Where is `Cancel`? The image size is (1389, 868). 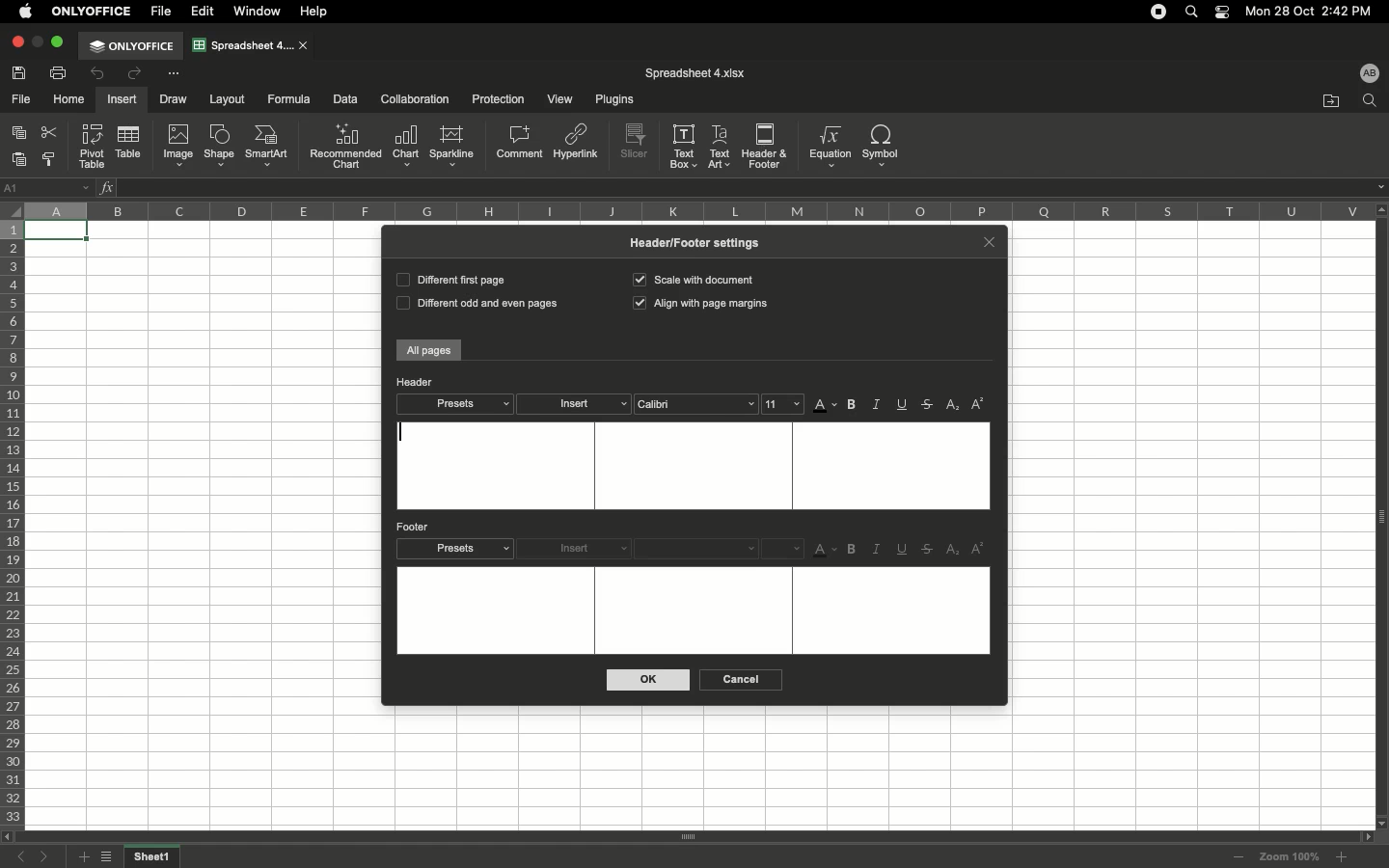 Cancel is located at coordinates (738, 680).